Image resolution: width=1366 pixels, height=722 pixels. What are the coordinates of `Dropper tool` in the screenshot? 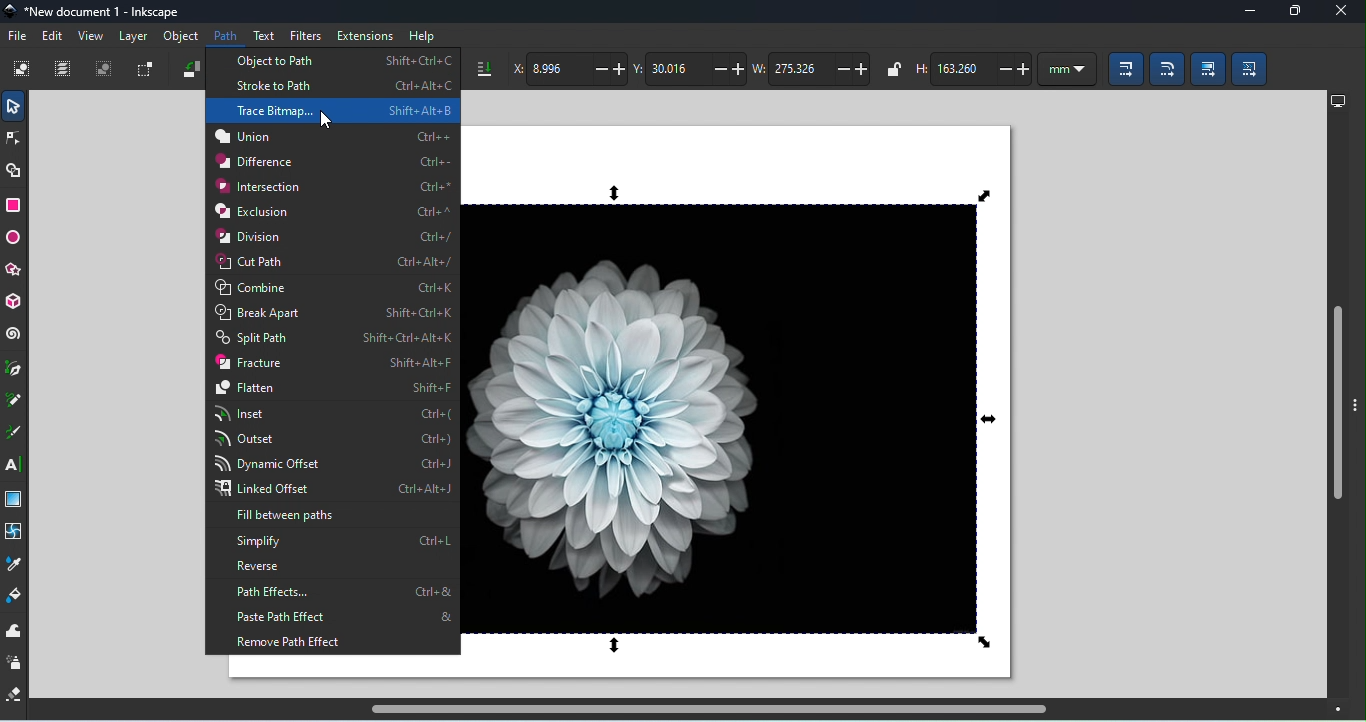 It's located at (15, 564).